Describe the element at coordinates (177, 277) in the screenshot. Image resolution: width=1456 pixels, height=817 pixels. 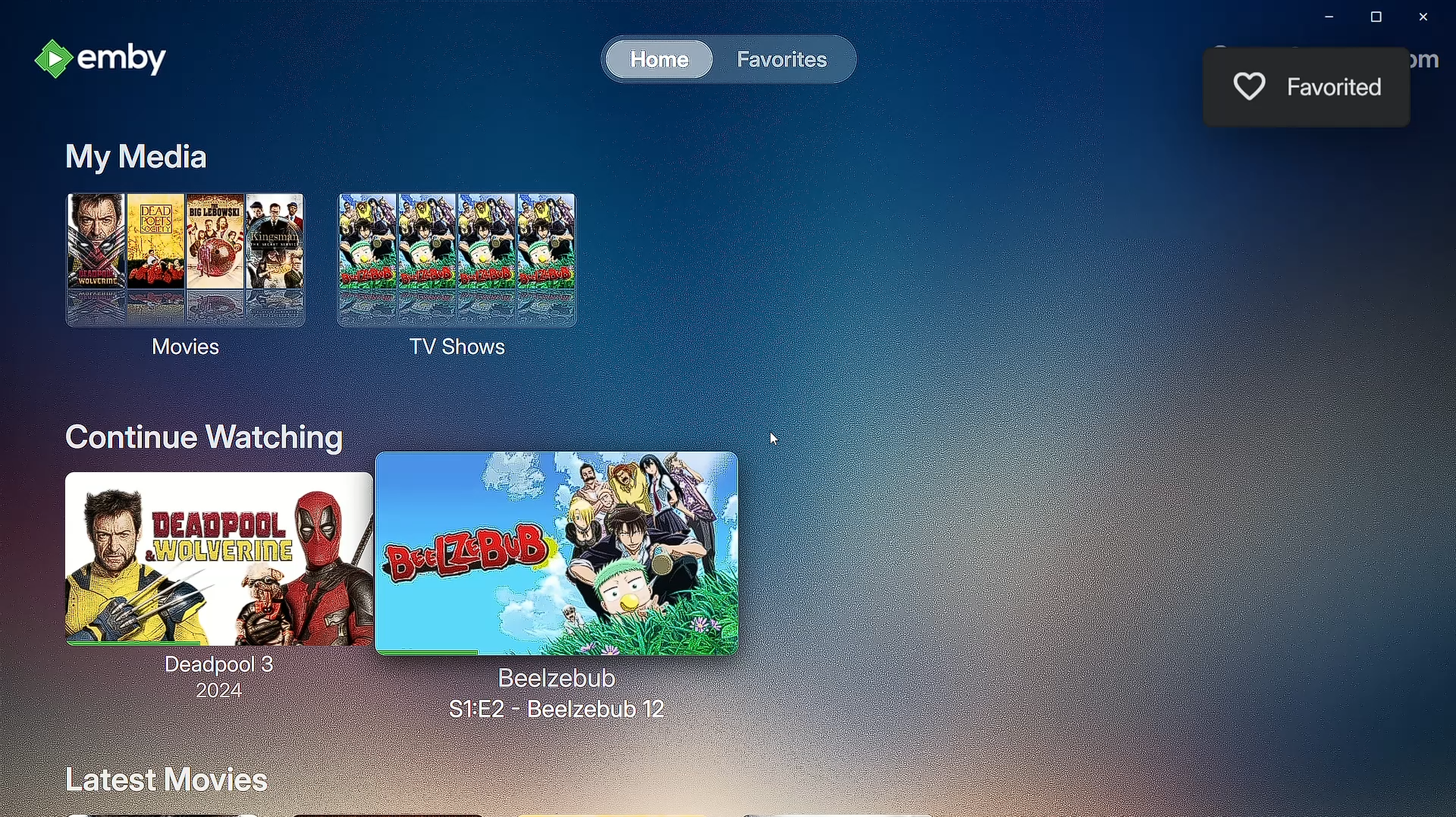
I see `Movies` at that location.